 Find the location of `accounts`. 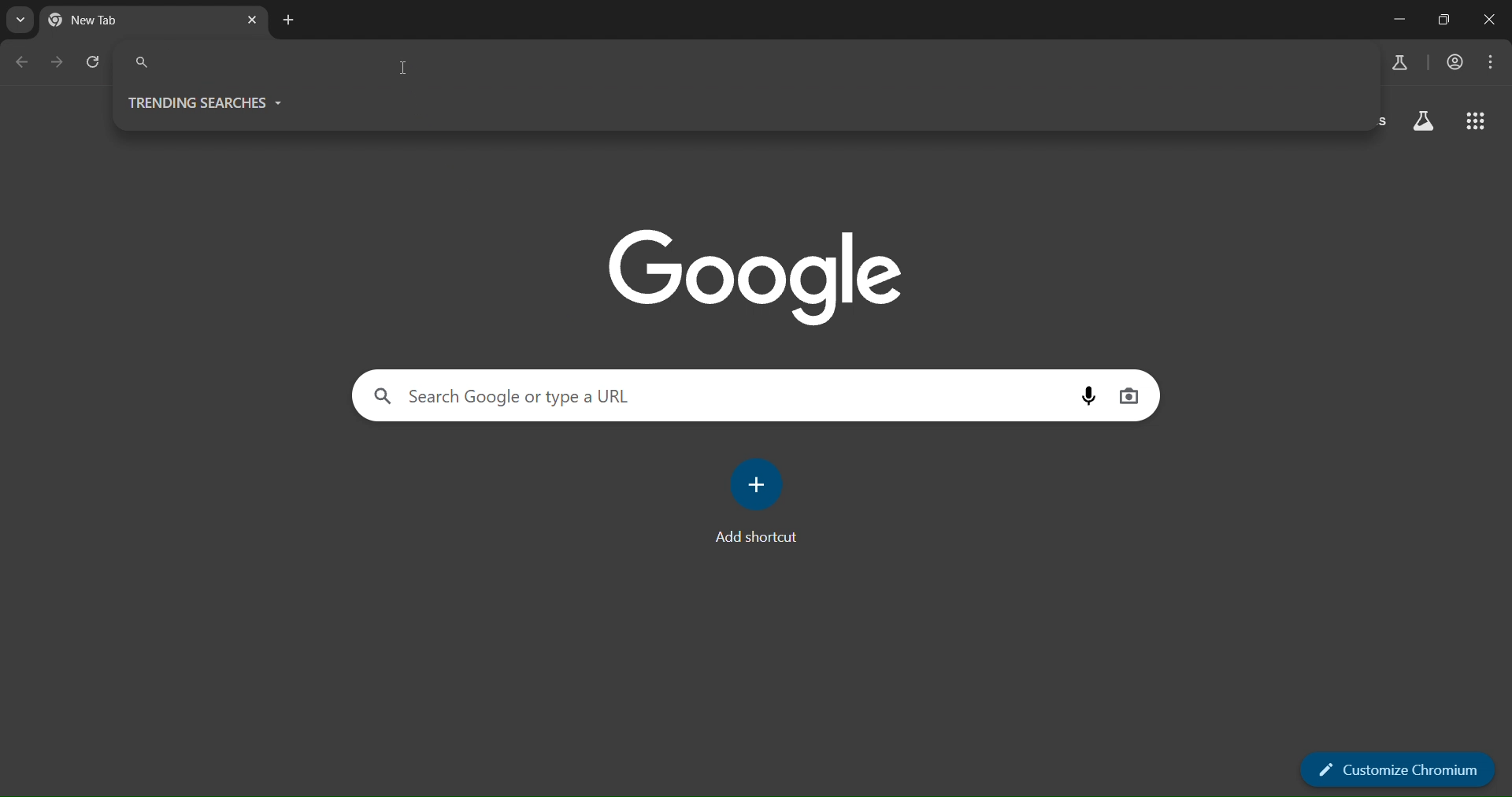

accounts is located at coordinates (1455, 62).